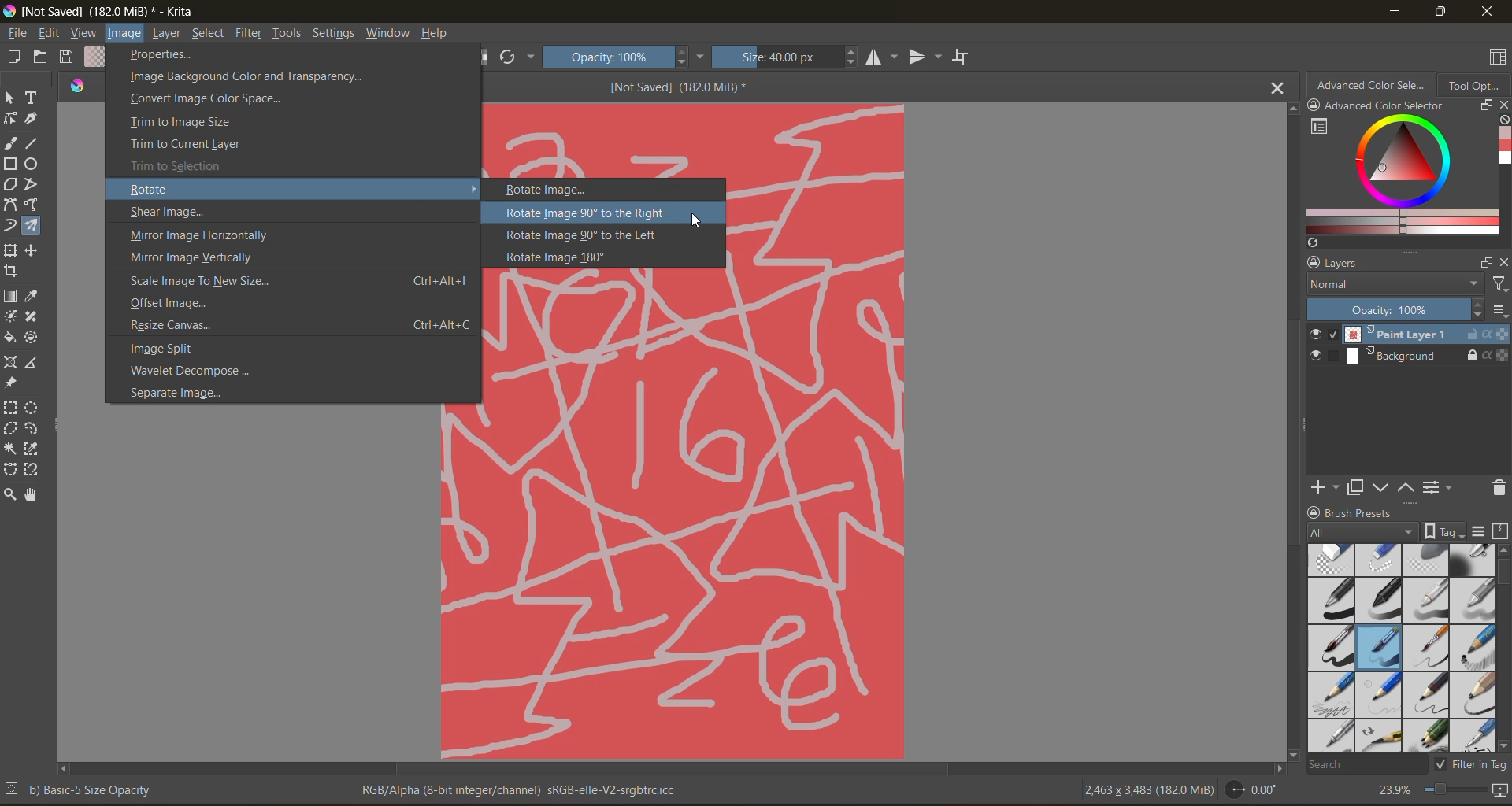 The image size is (1512, 806). Describe the element at coordinates (53, 34) in the screenshot. I see `edit` at that location.